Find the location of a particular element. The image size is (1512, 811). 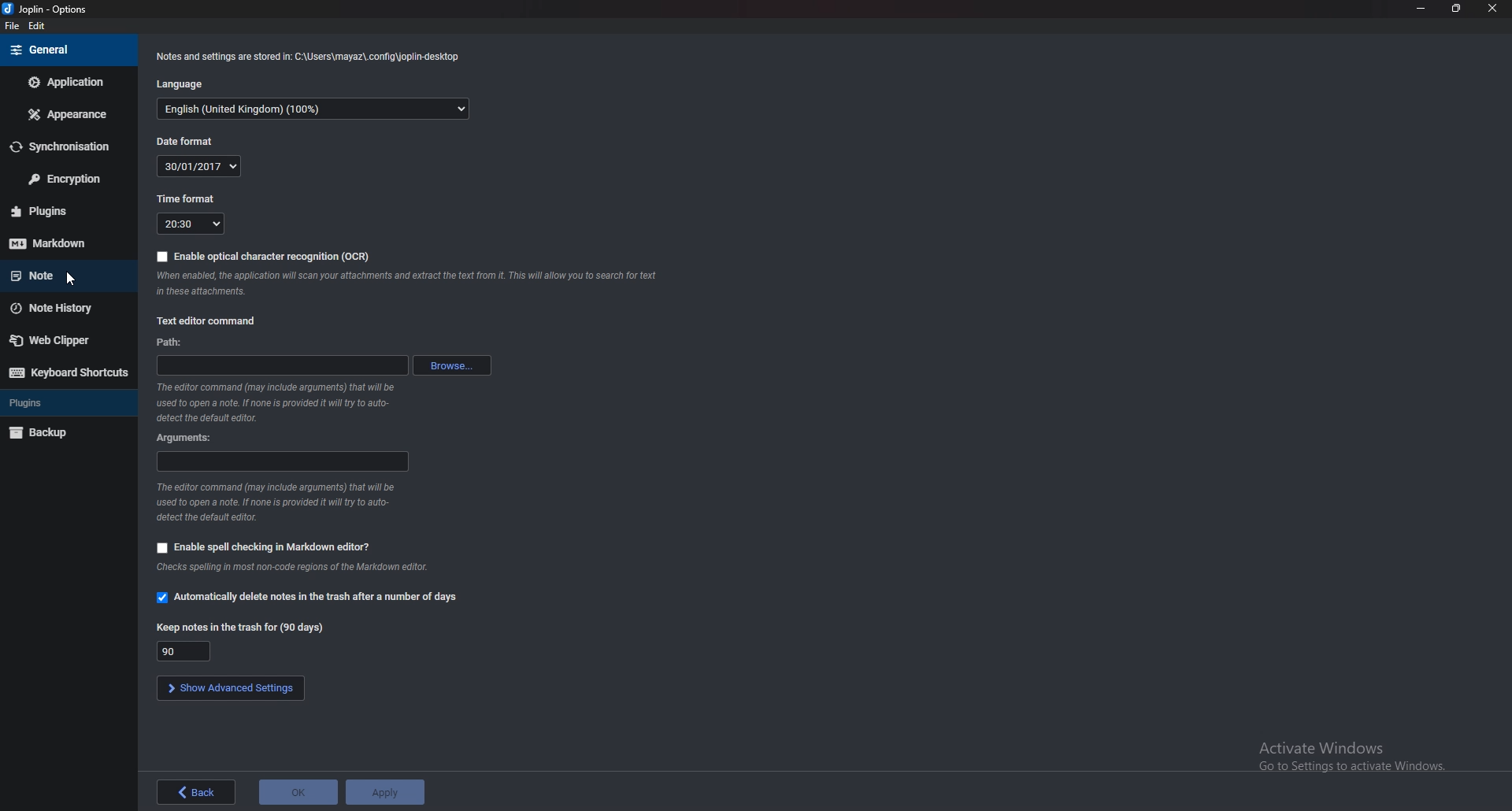

Arguments is located at coordinates (284, 461).